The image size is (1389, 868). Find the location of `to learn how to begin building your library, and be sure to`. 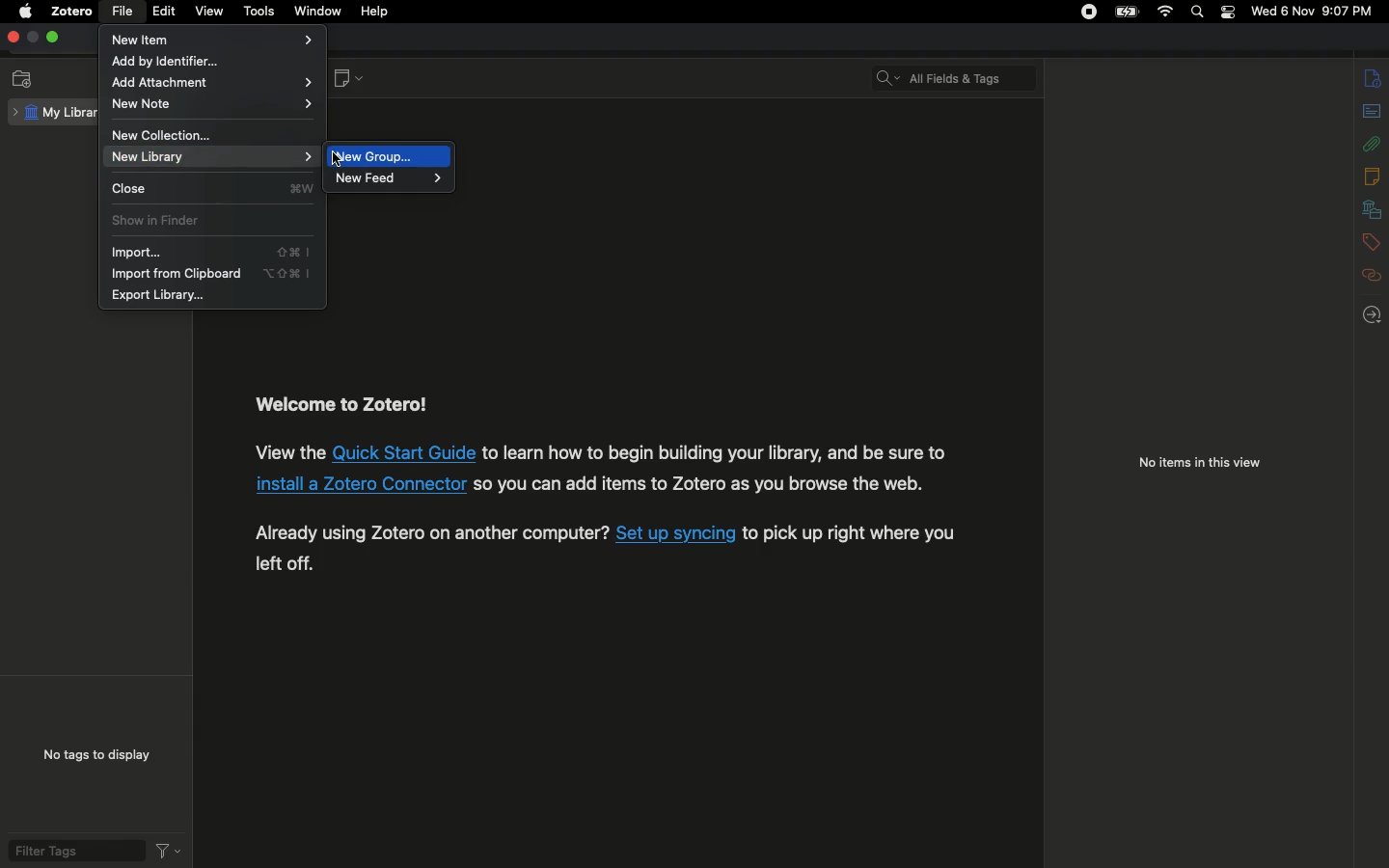

to learn how to begin building your library, and be sure to is located at coordinates (715, 452).